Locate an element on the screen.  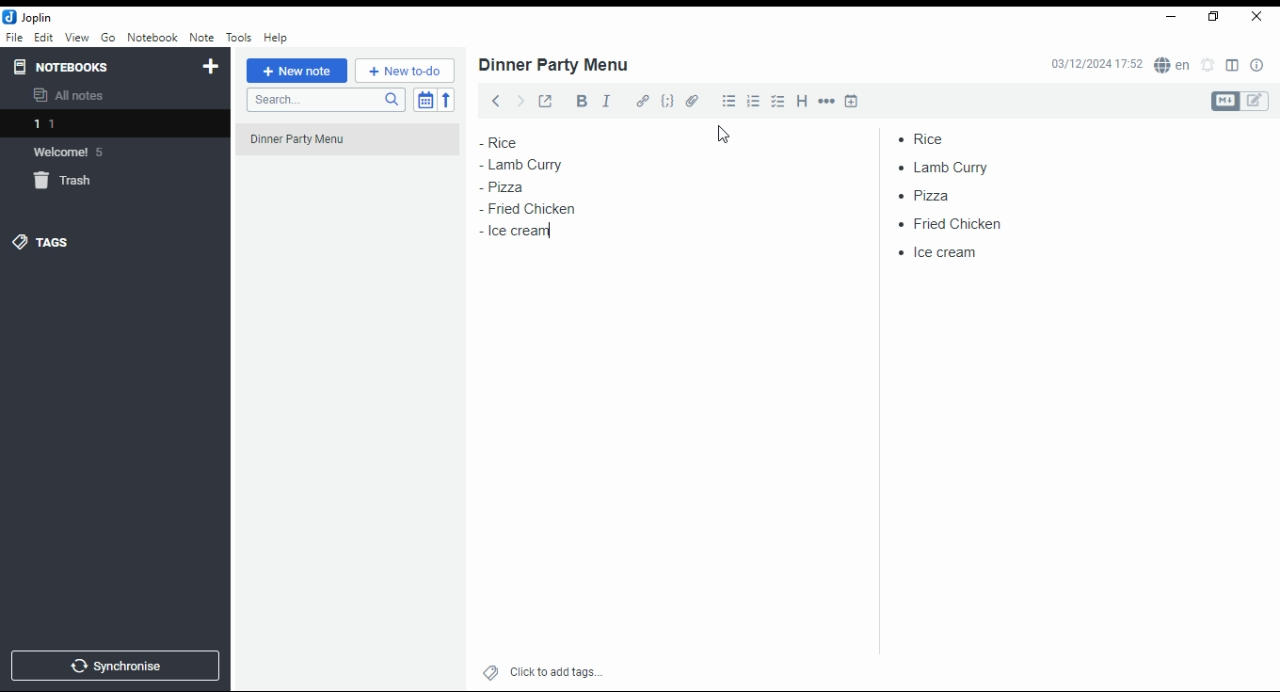
dinner party menu is located at coordinates (555, 65).